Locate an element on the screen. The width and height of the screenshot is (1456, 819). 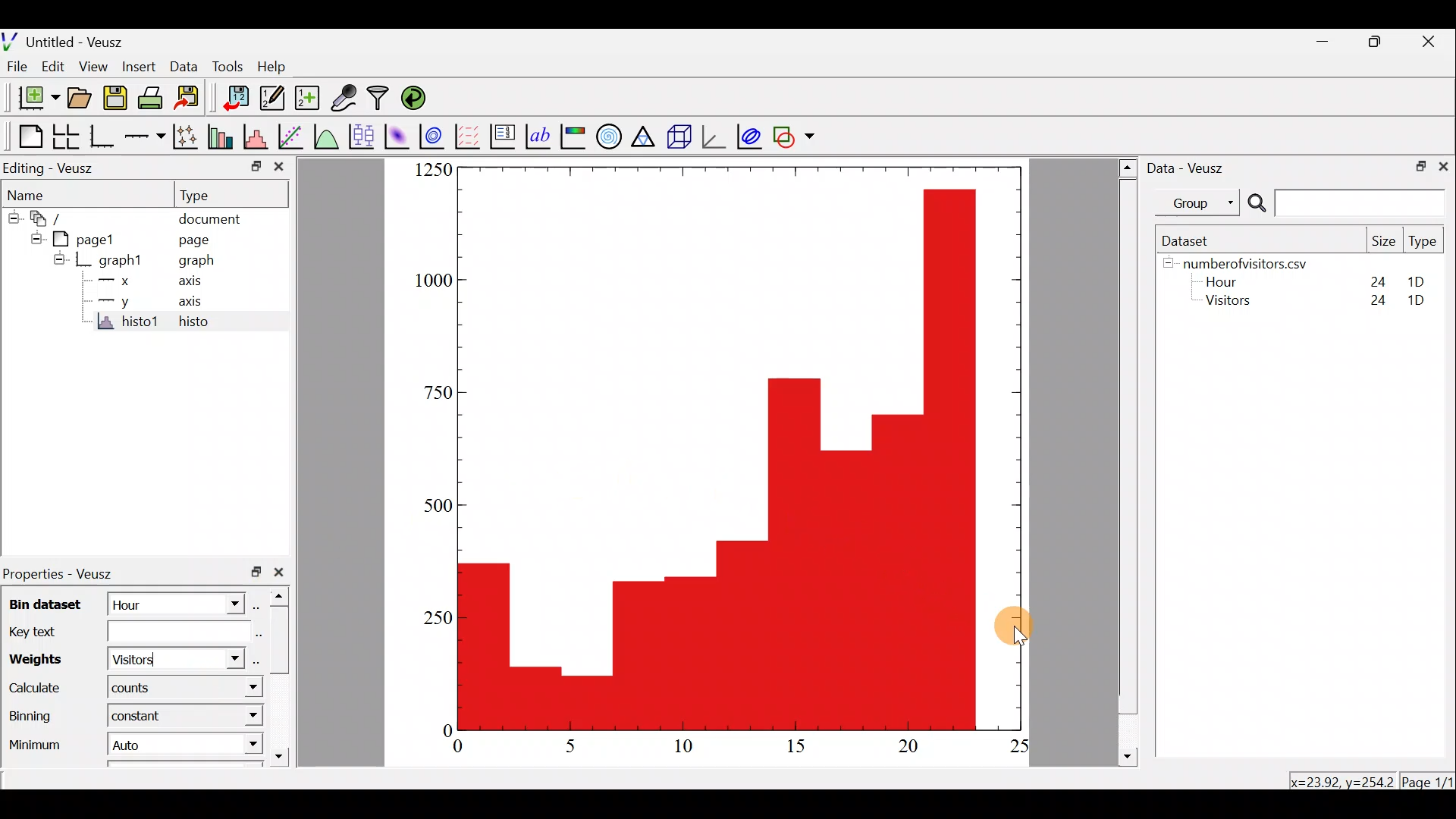
Minimum is located at coordinates (32, 748).